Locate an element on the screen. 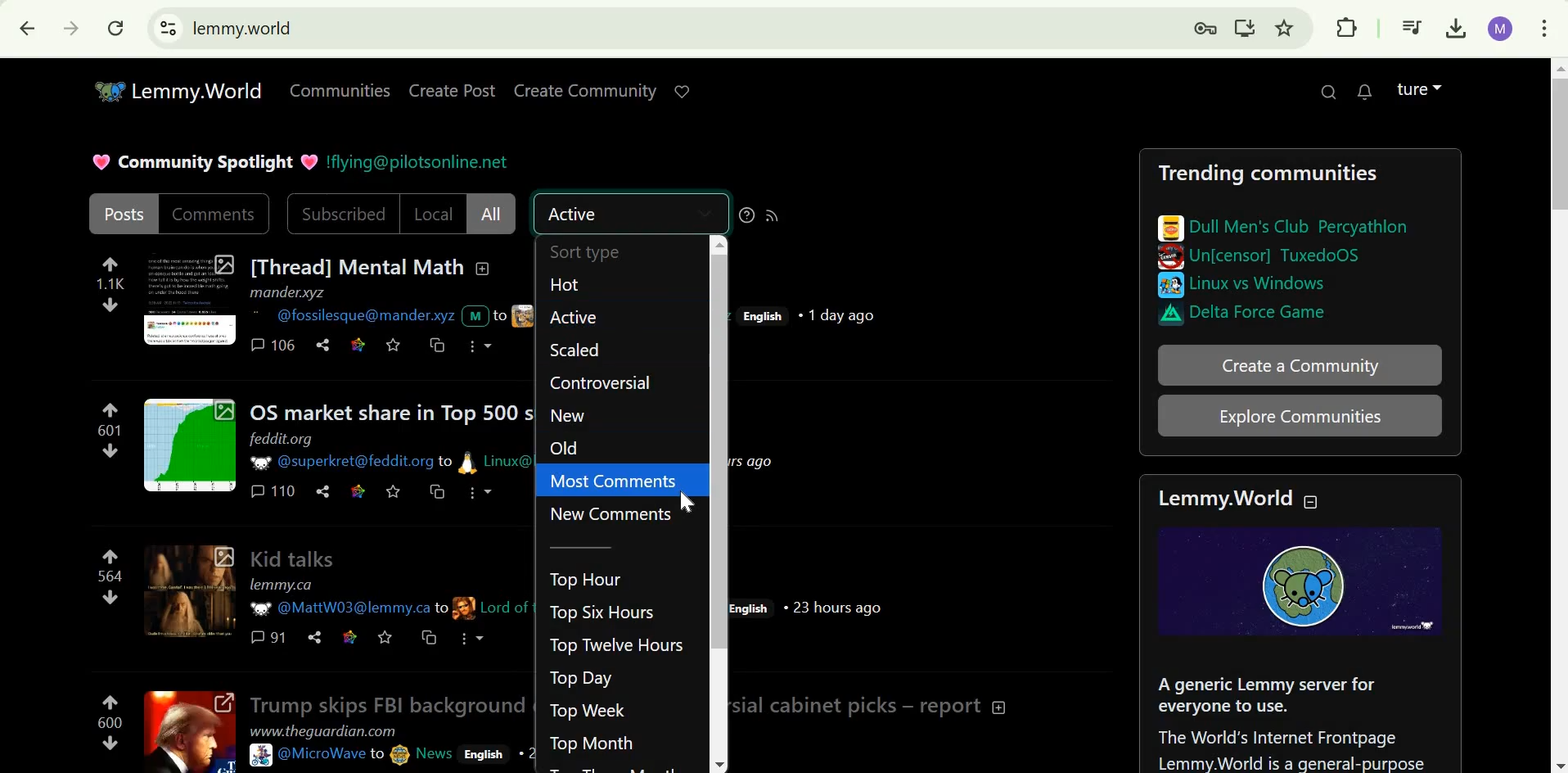  link is located at coordinates (356, 490).